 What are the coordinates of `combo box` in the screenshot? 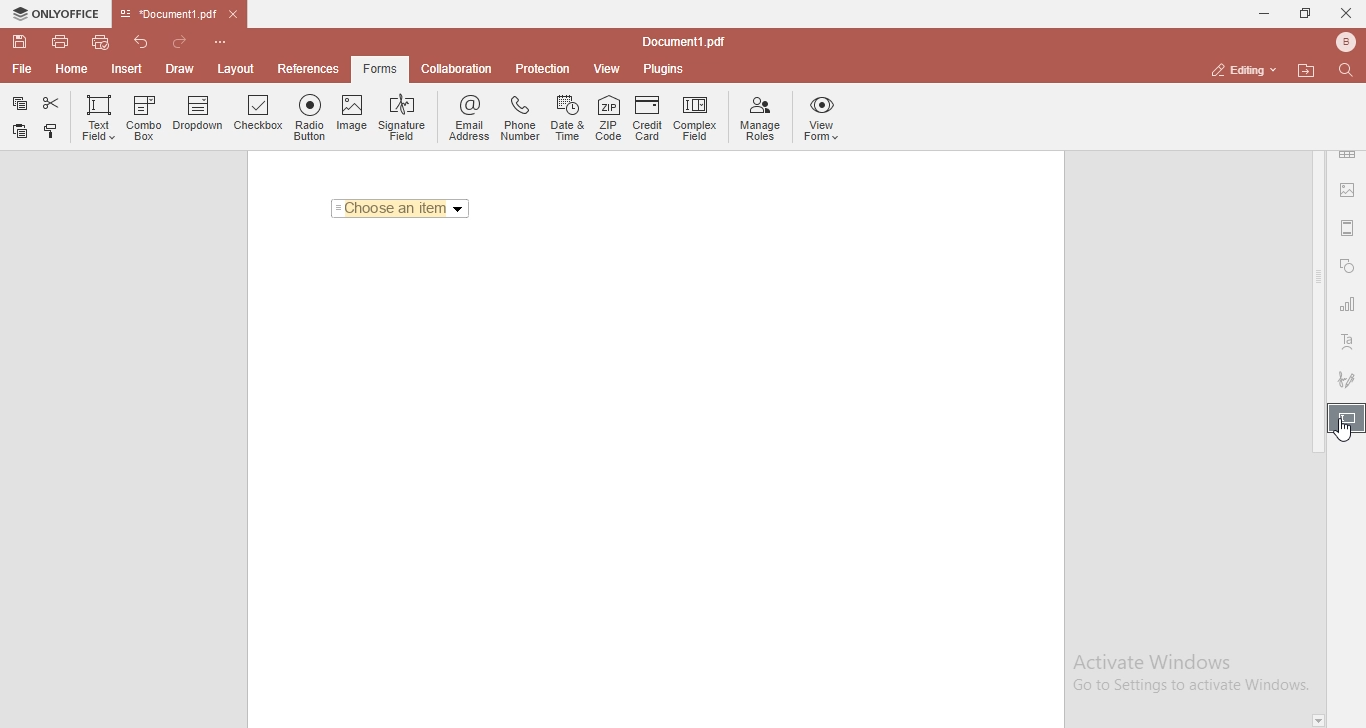 It's located at (144, 118).